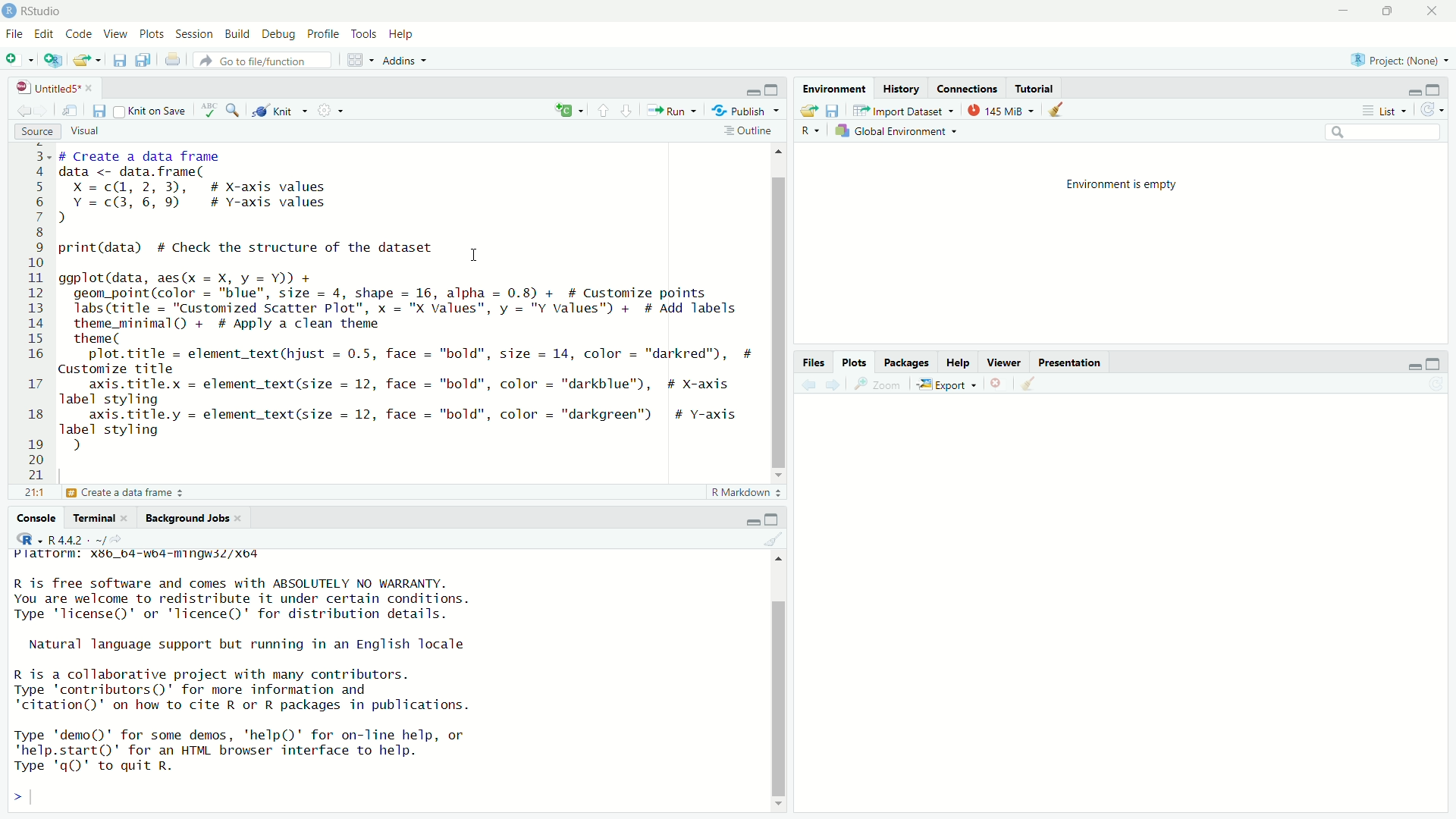 The height and width of the screenshot is (819, 1456). I want to click on Visual, so click(82, 132).